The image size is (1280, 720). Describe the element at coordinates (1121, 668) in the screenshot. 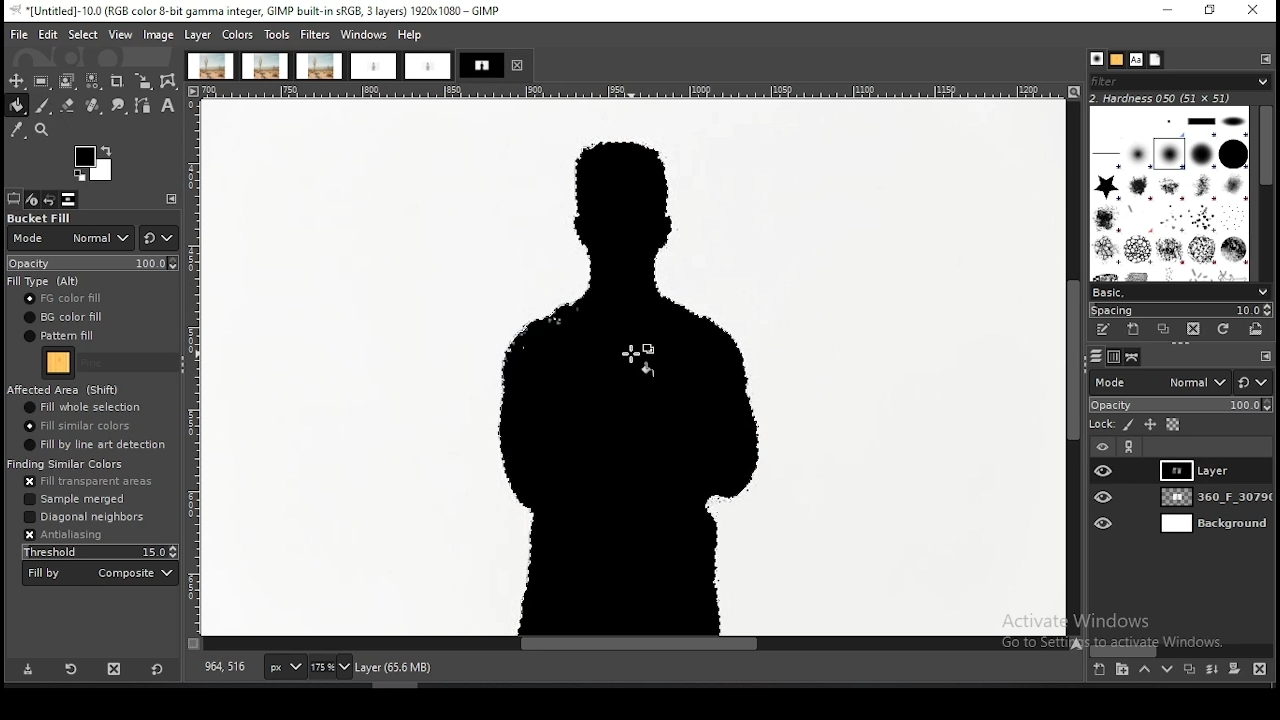

I see `create a new layer group` at that location.